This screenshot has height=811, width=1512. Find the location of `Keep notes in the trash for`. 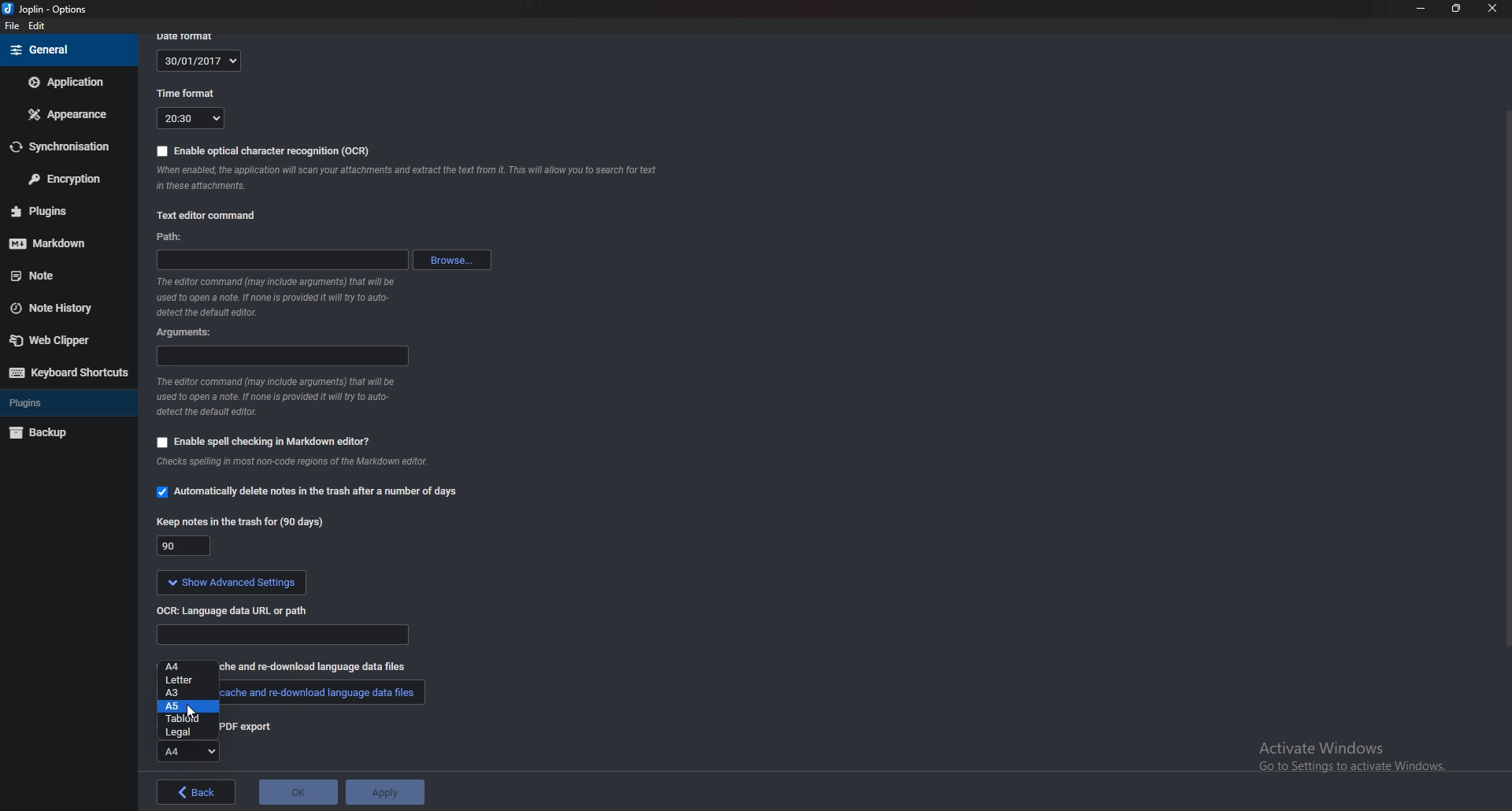

Keep notes in the trash for is located at coordinates (240, 524).